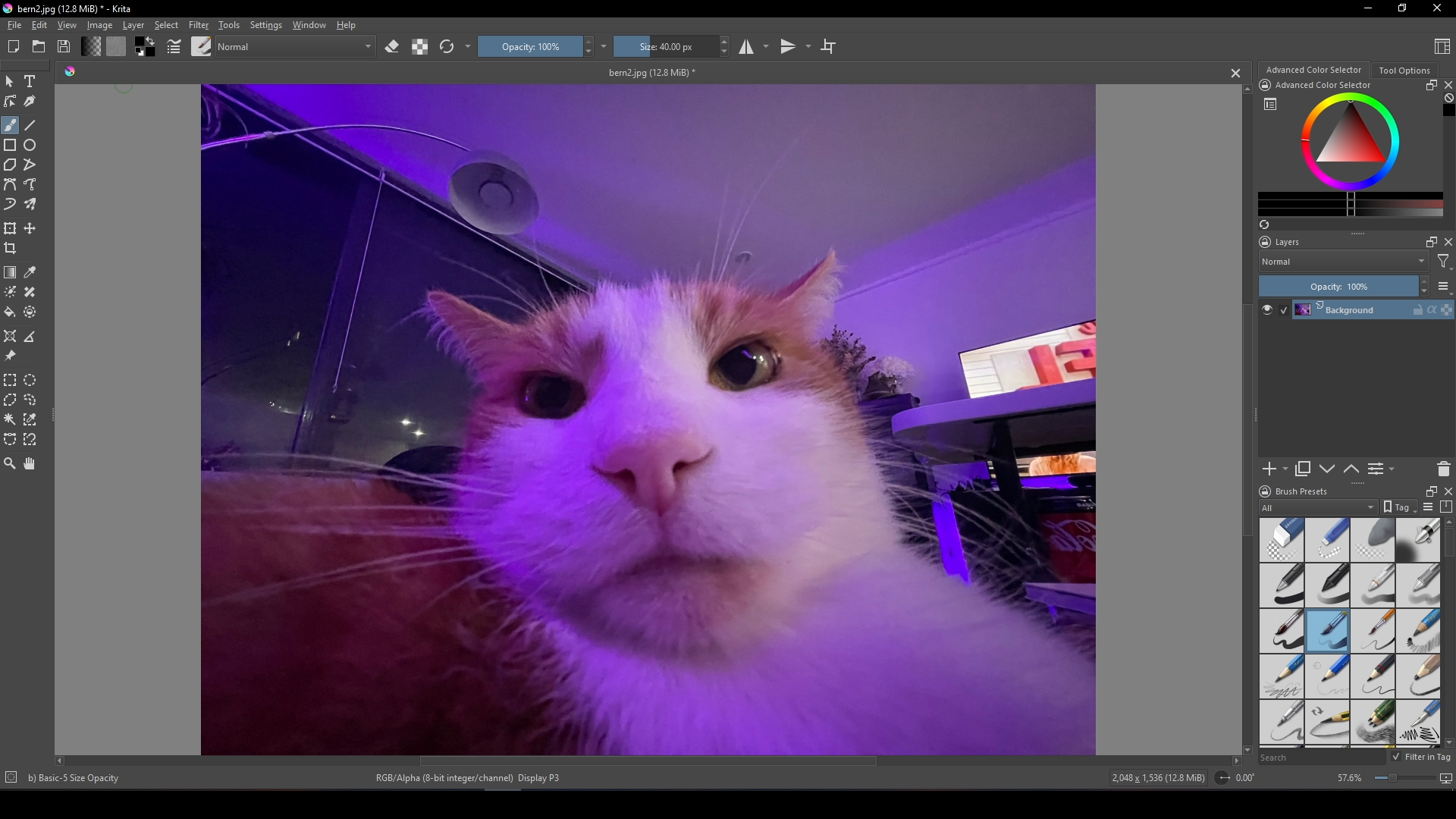 The width and height of the screenshot is (1456, 819). Describe the element at coordinates (11, 184) in the screenshot. I see `Bezier line tool` at that location.